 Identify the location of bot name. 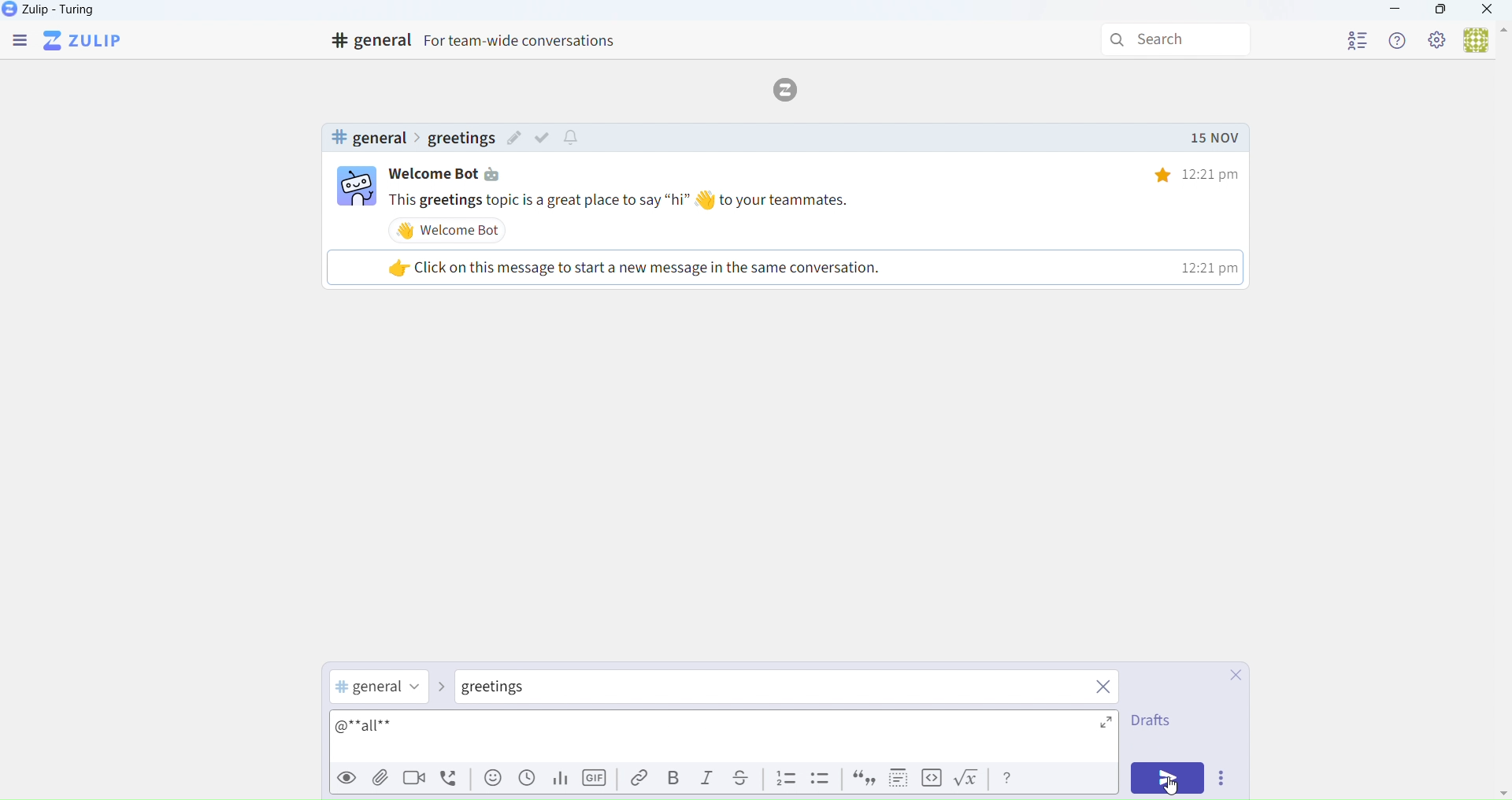
(455, 174).